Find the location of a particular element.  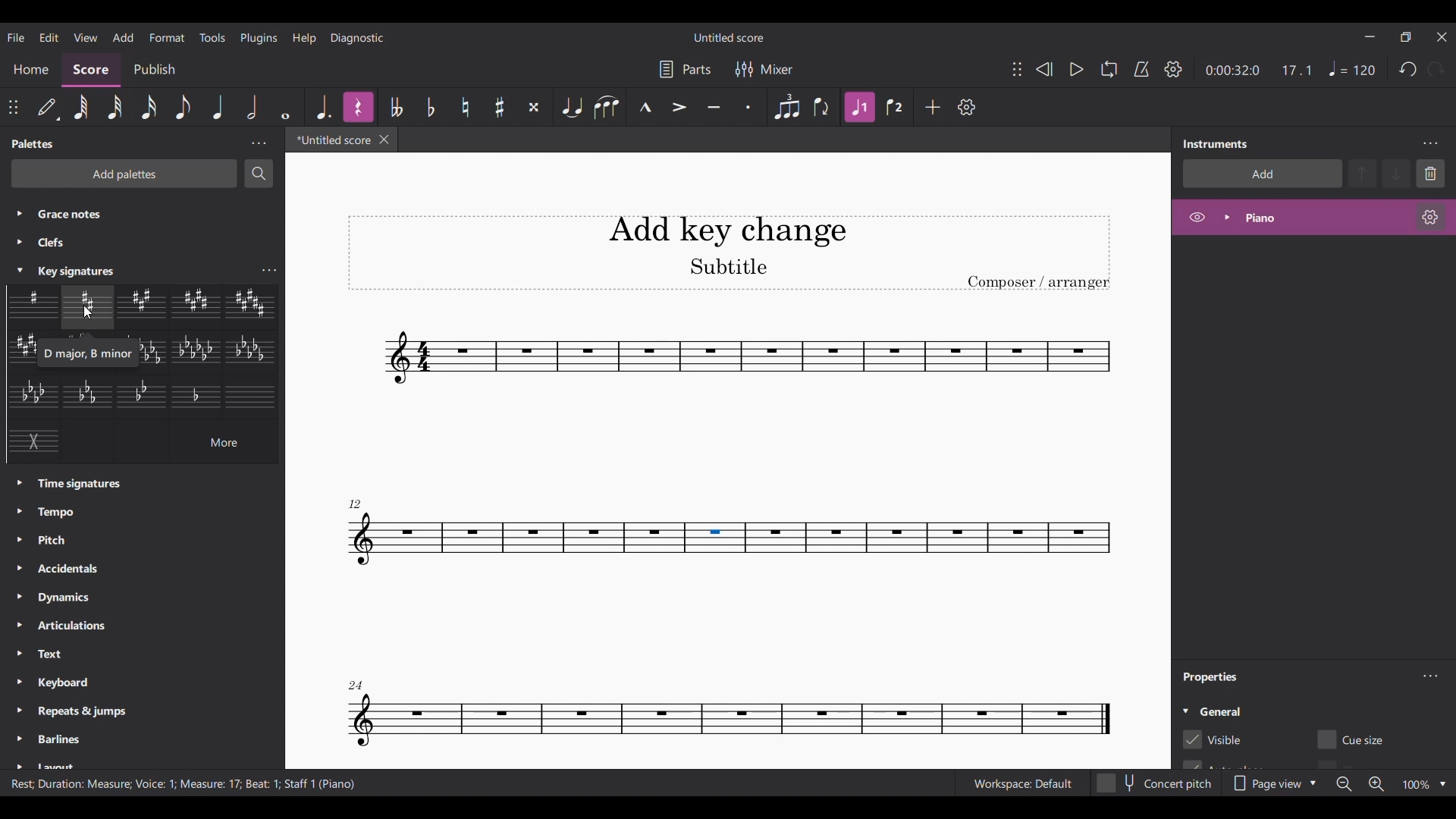

Toggle for Cue size is located at coordinates (1354, 739).